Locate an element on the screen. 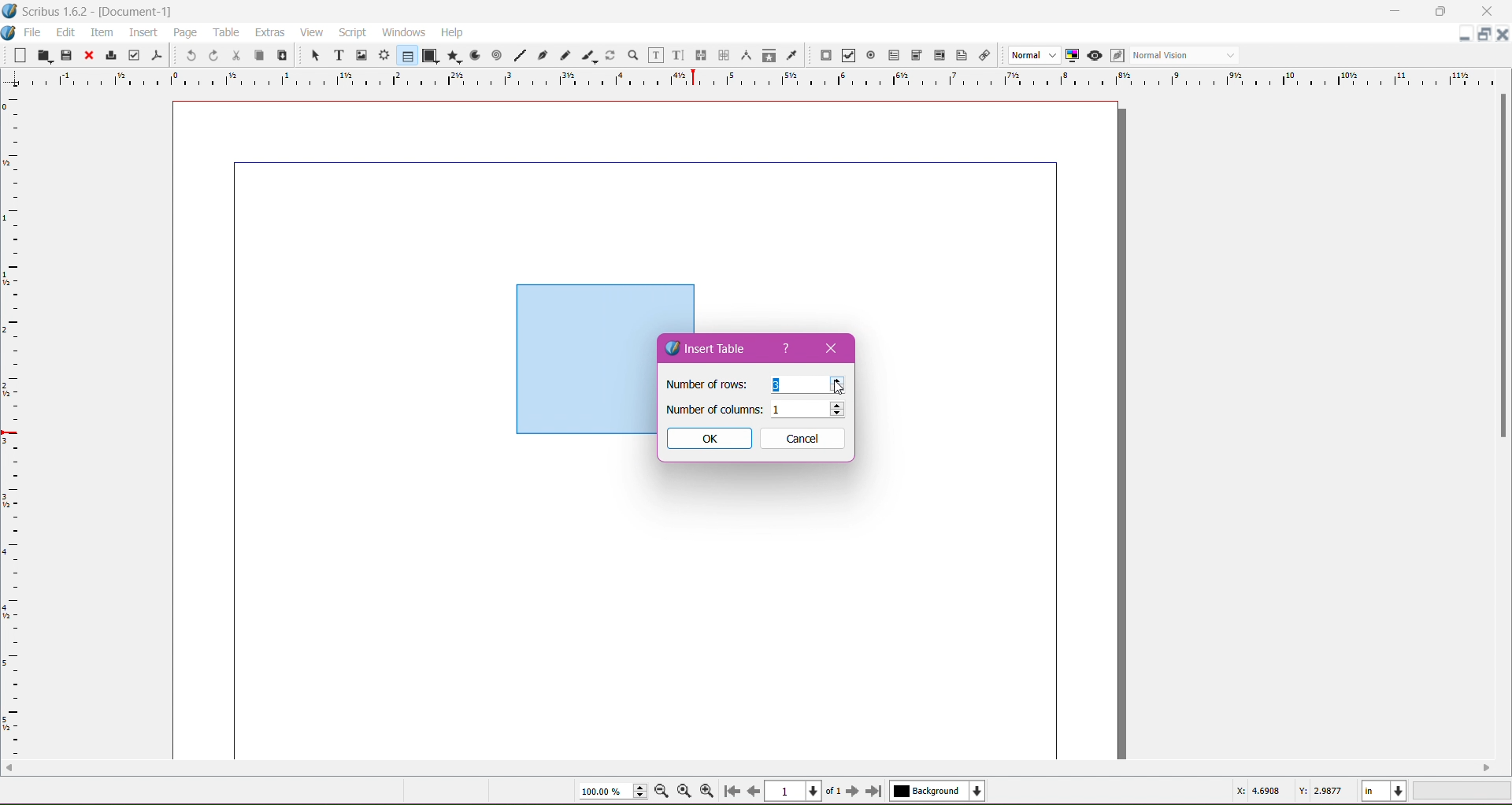 The height and width of the screenshot is (805, 1512). Maximize is located at coordinates (1441, 11).